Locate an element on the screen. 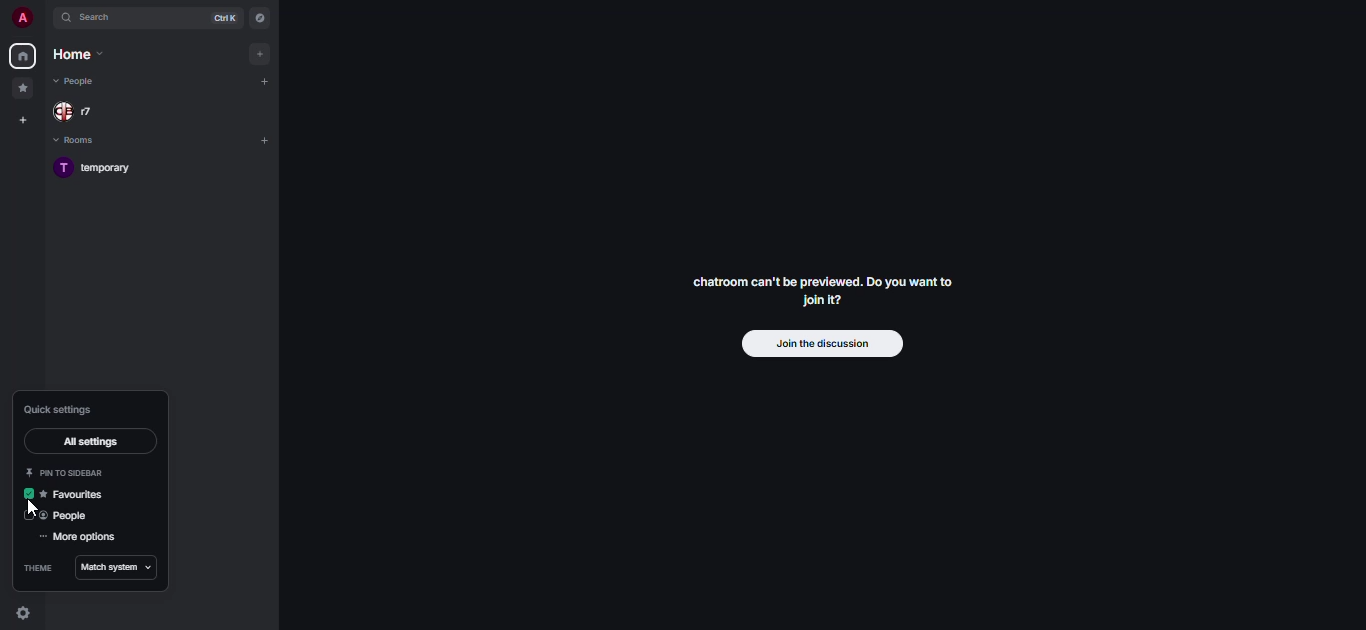 This screenshot has width=1366, height=630. enabled is located at coordinates (31, 495).